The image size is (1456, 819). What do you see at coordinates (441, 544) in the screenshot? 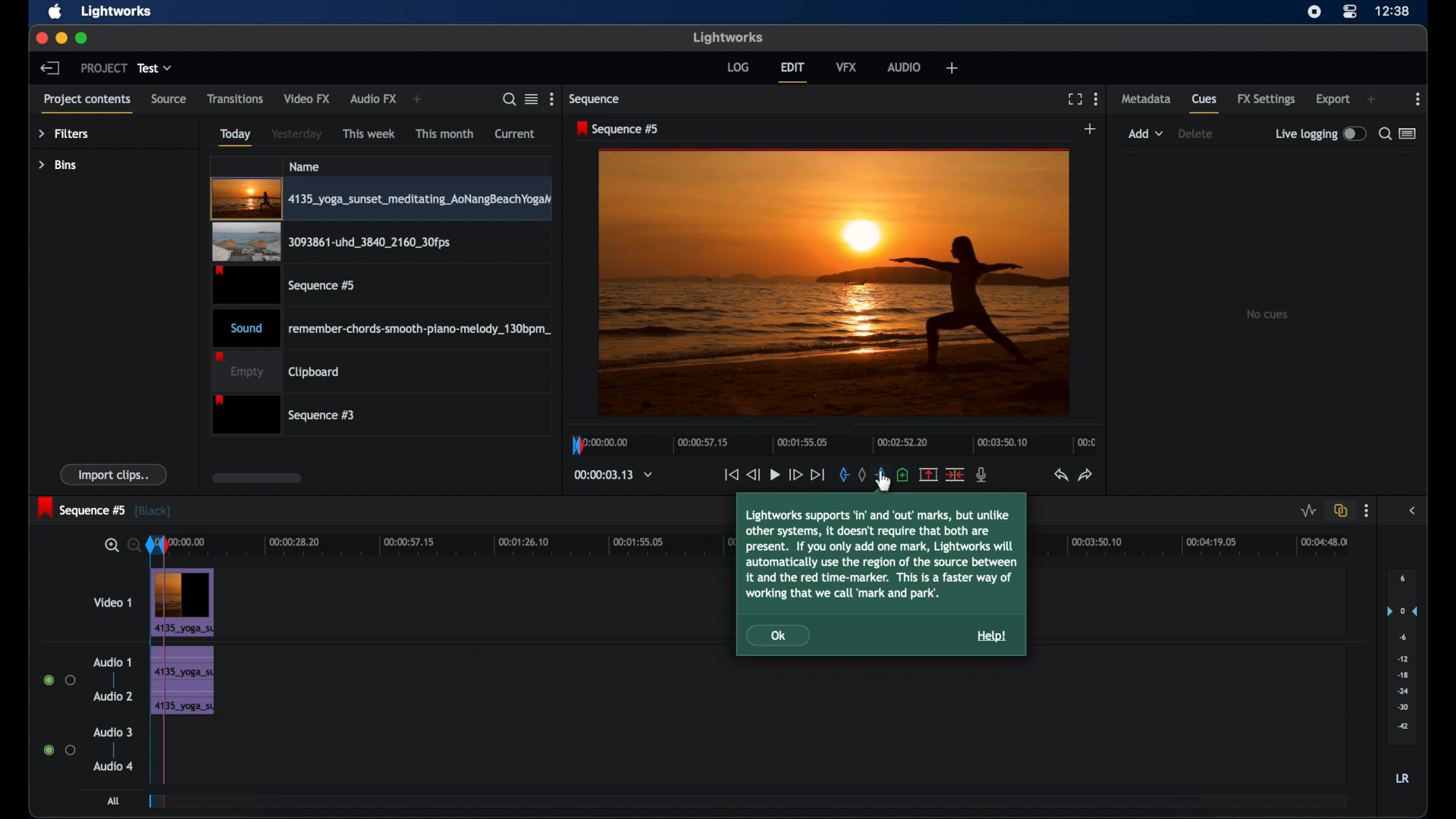
I see `timeline scale` at bounding box center [441, 544].